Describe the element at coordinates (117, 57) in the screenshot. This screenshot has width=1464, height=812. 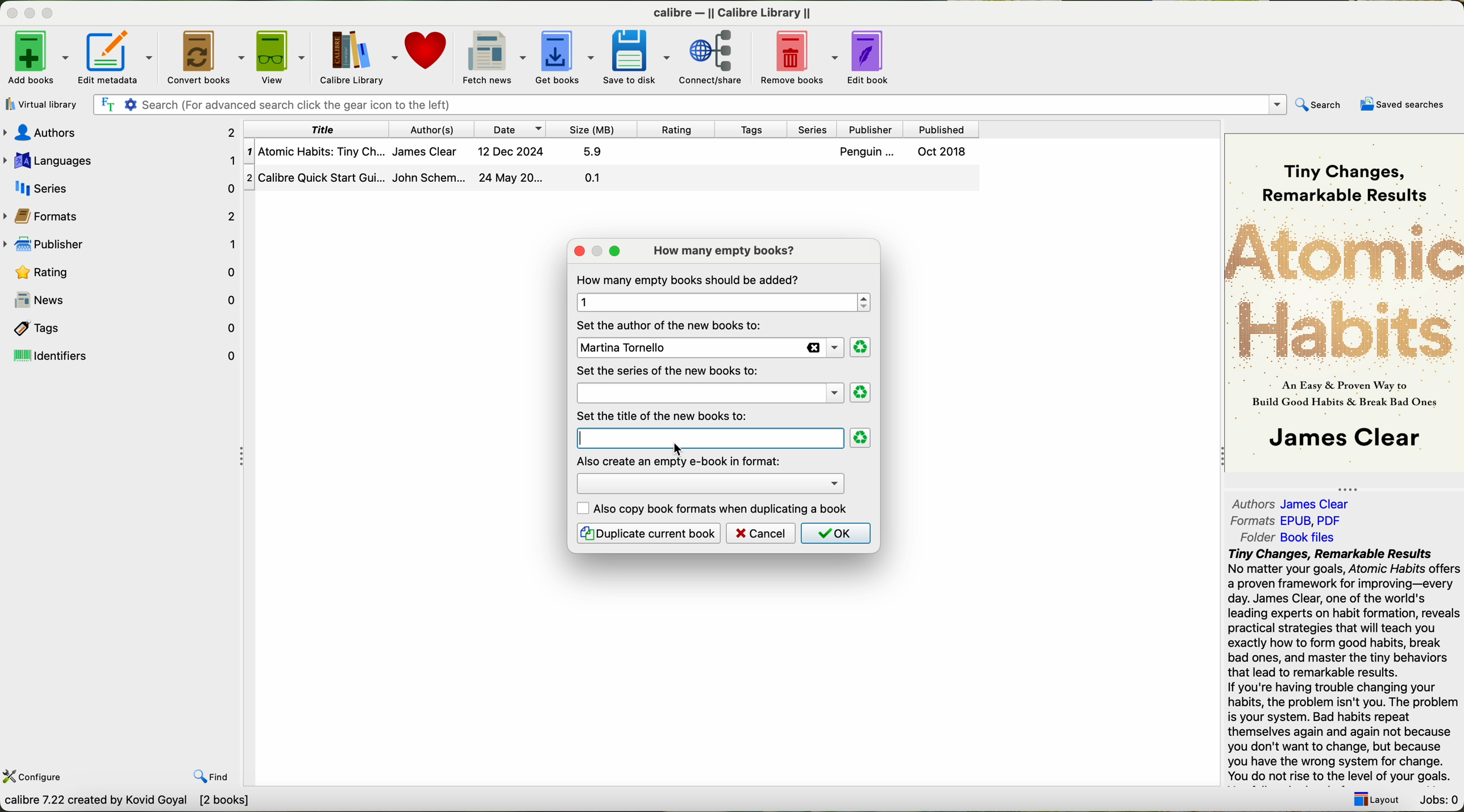
I see `edit metadata` at that location.